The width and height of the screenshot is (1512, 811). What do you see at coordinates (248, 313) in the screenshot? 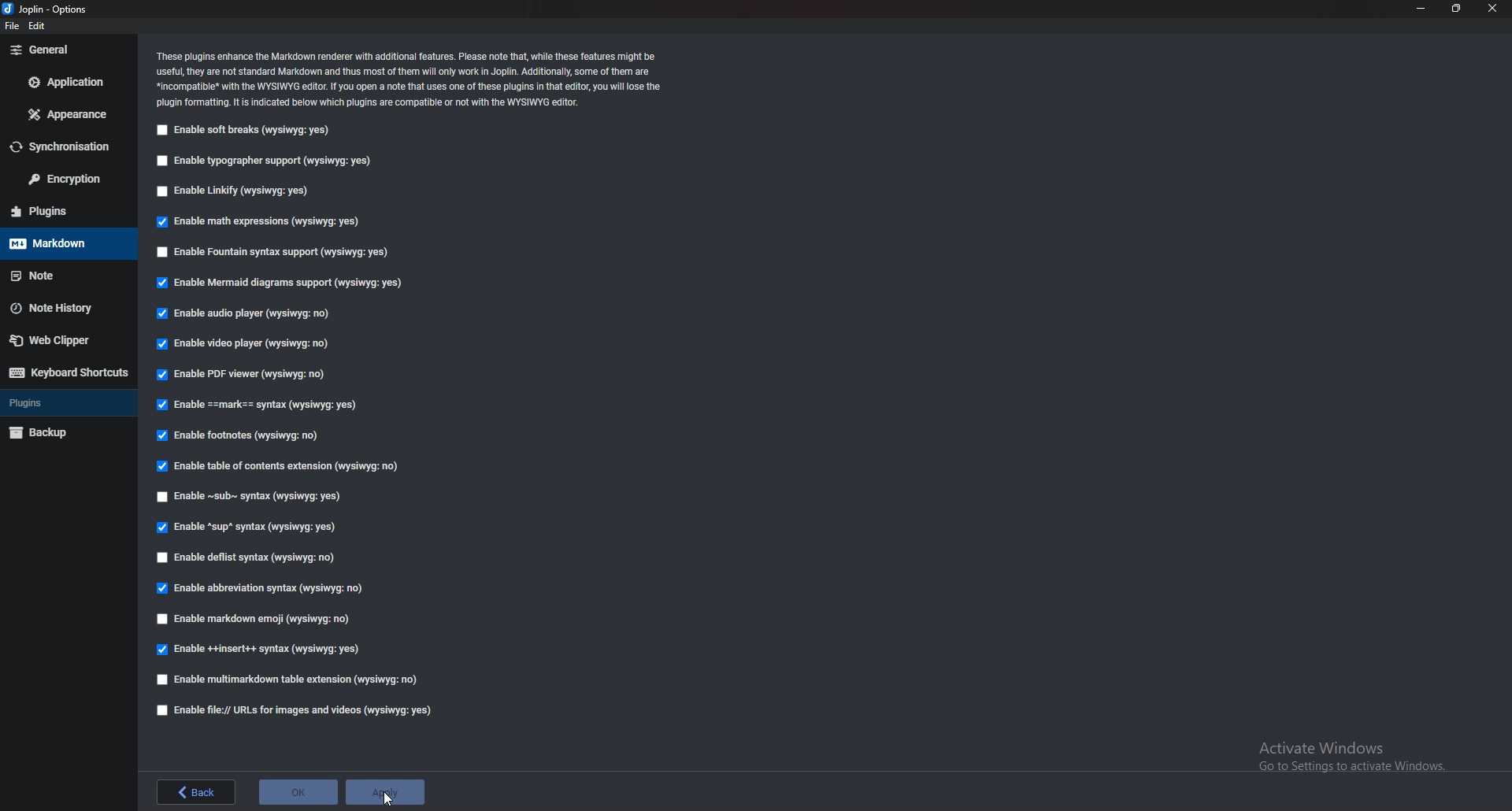
I see `Enable audio player` at bounding box center [248, 313].